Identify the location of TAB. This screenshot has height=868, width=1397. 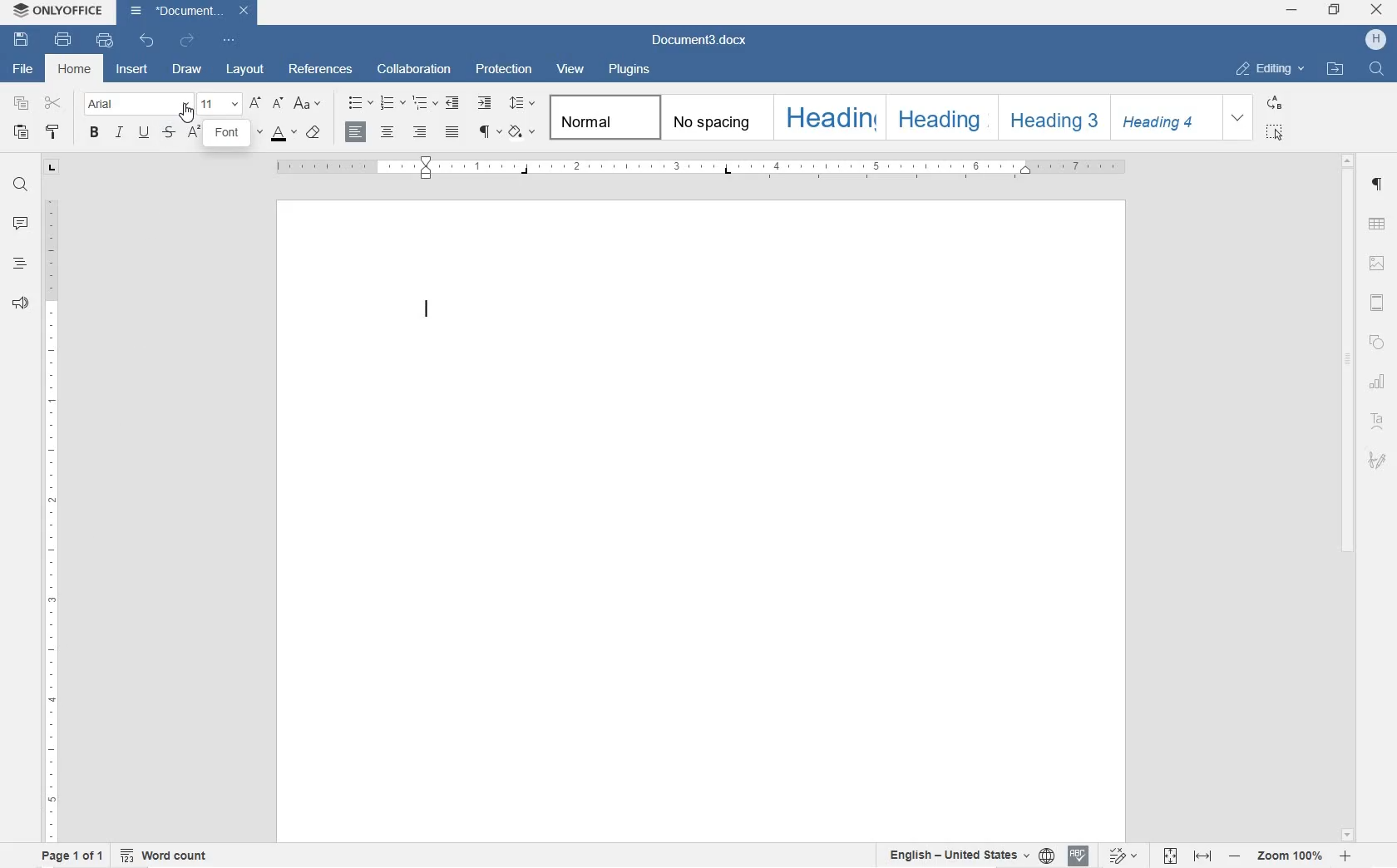
(52, 167).